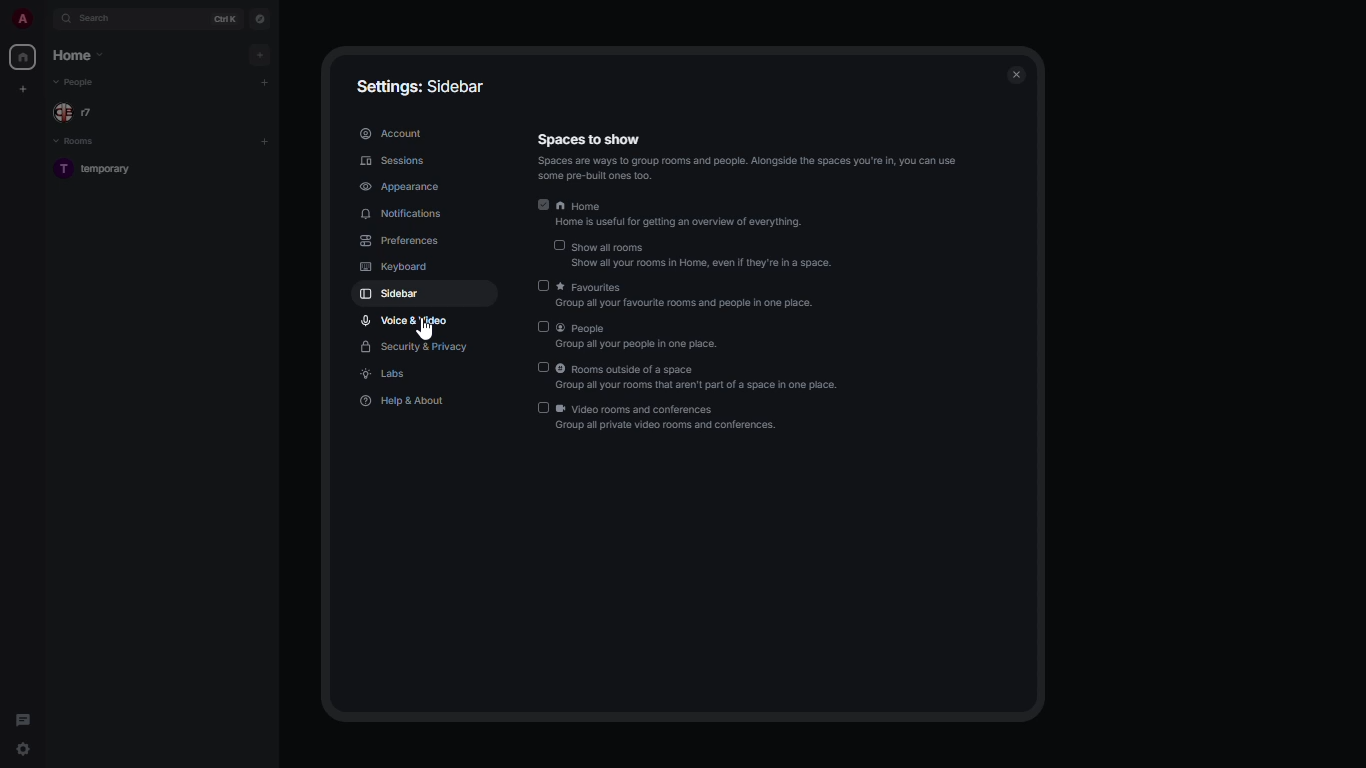 The height and width of the screenshot is (768, 1366). I want to click on people, so click(643, 340).